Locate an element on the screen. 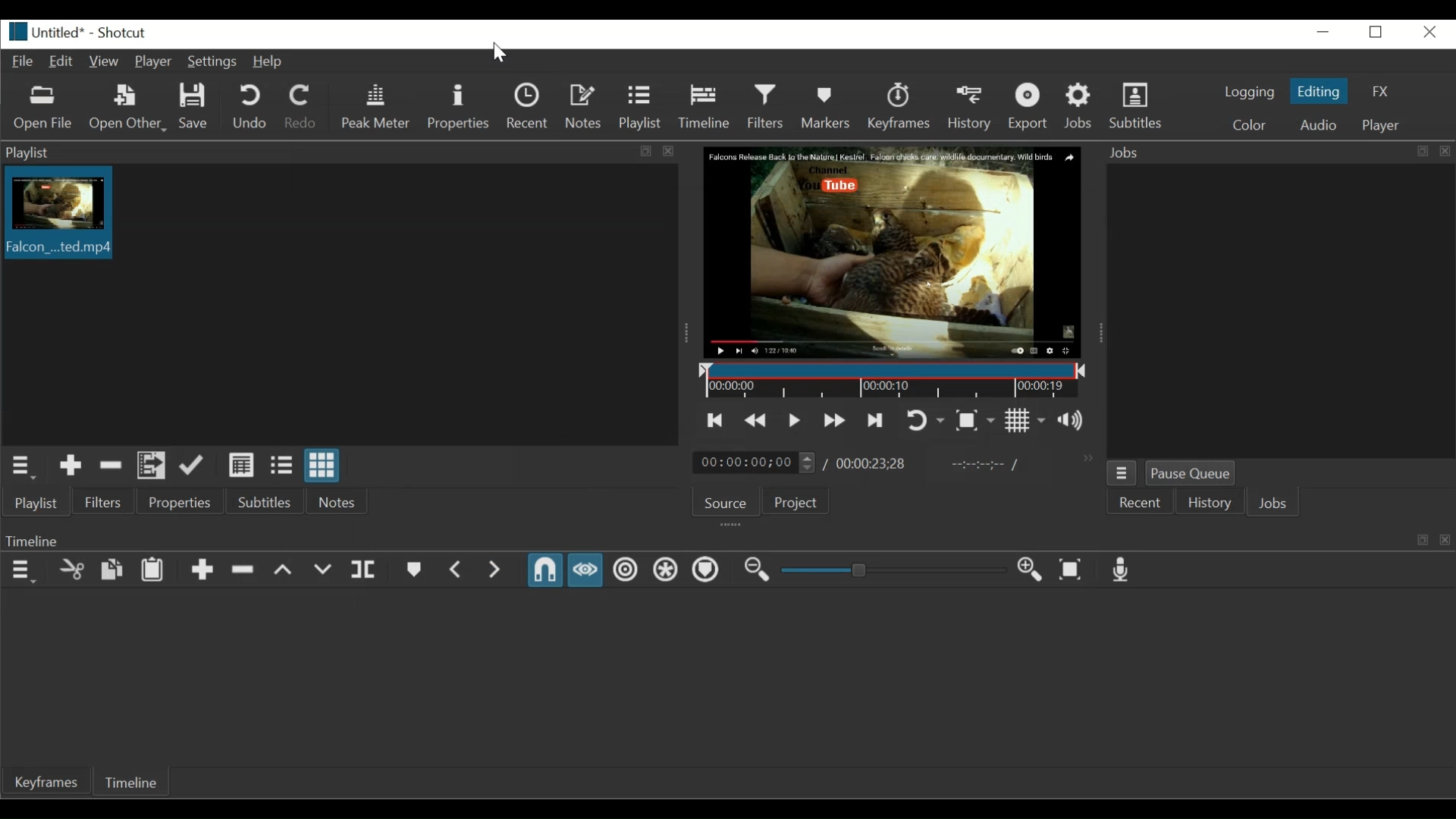 This screenshot has width=1456, height=819. Playlist is located at coordinates (641, 108).